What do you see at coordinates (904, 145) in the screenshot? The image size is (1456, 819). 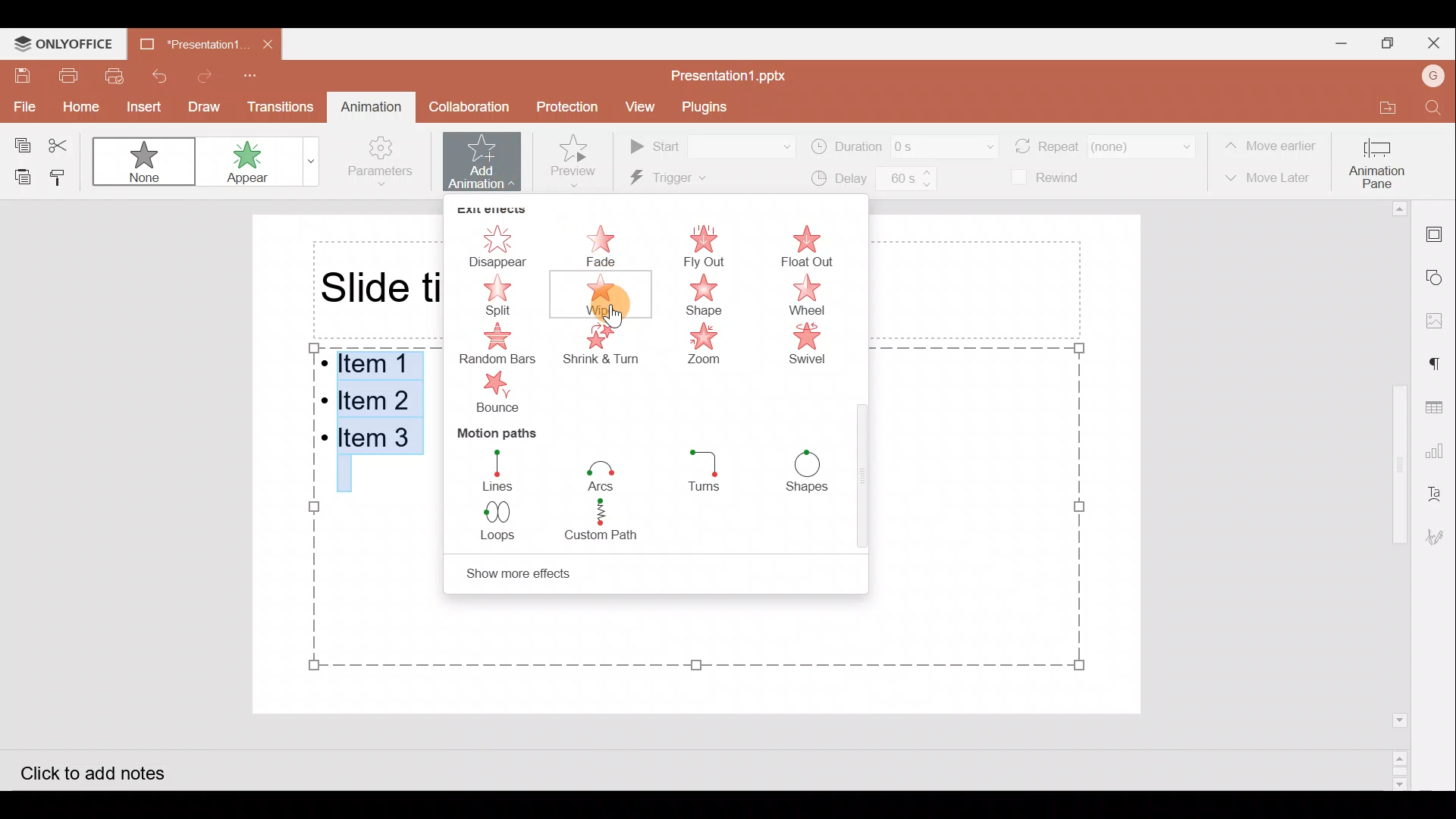 I see `Duration` at bounding box center [904, 145].